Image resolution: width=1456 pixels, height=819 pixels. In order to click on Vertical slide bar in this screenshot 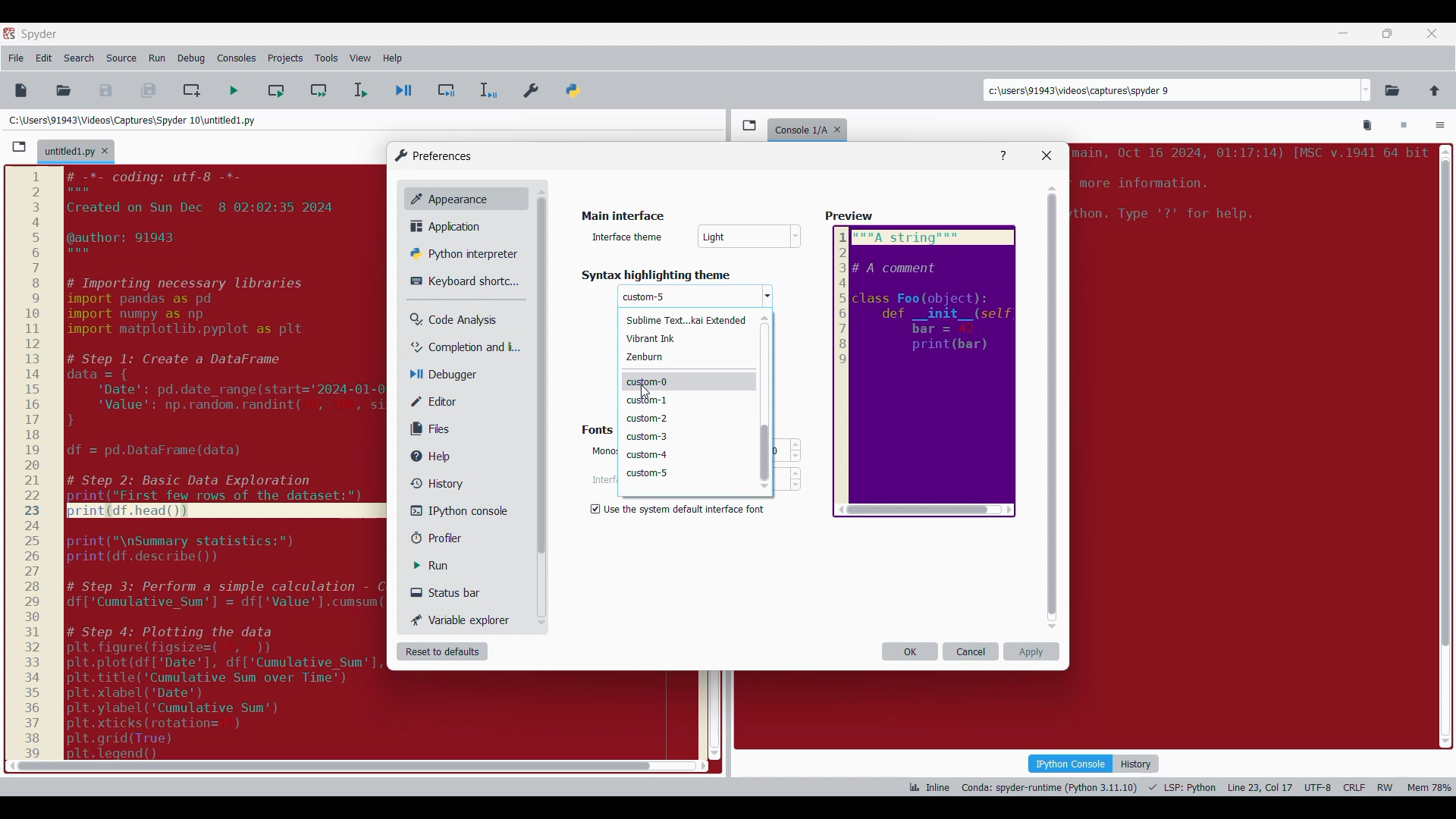, I will do `click(1053, 407)`.